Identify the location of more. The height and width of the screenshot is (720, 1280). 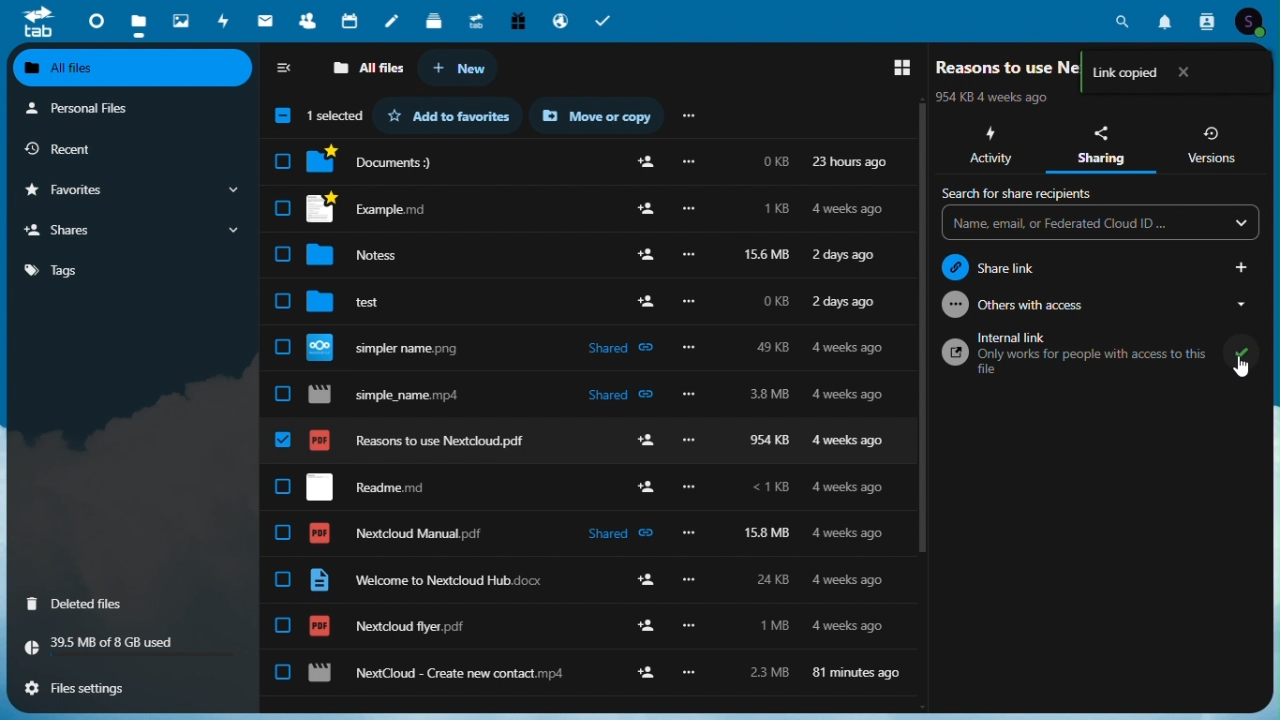
(695, 115).